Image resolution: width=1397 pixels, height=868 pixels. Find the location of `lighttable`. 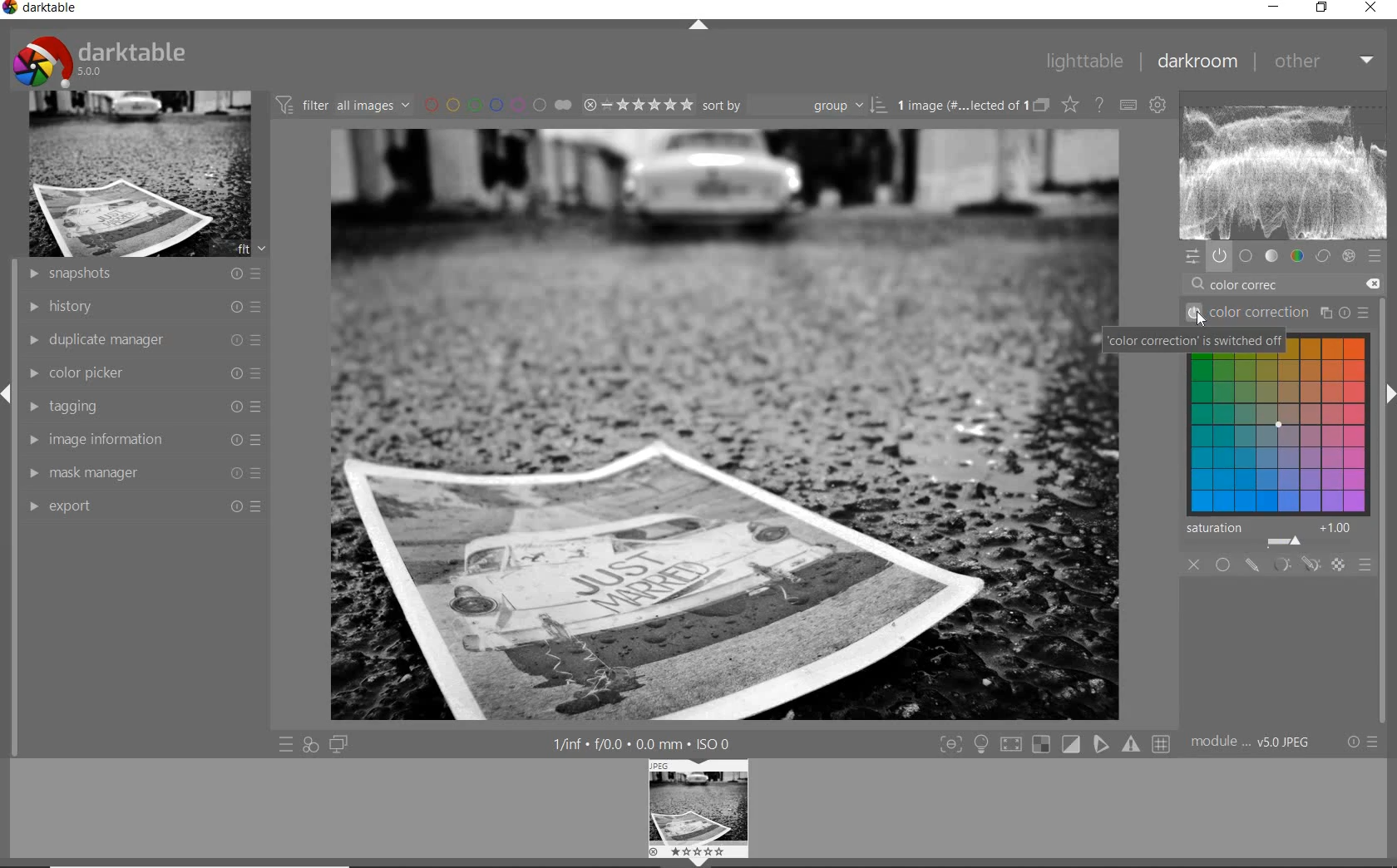

lighttable is located at coordinates (1085, 62).